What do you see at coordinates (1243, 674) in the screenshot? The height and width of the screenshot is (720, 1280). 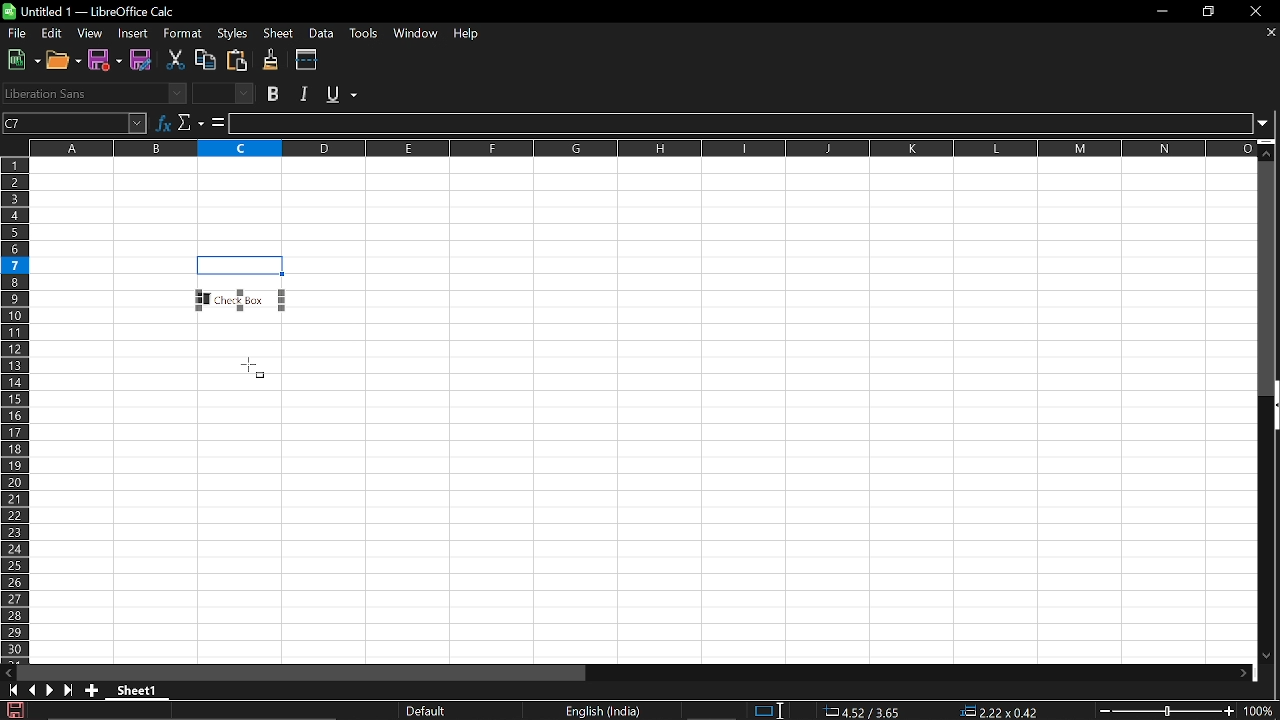 I see `Move right` at bounding box center [1243, 674].